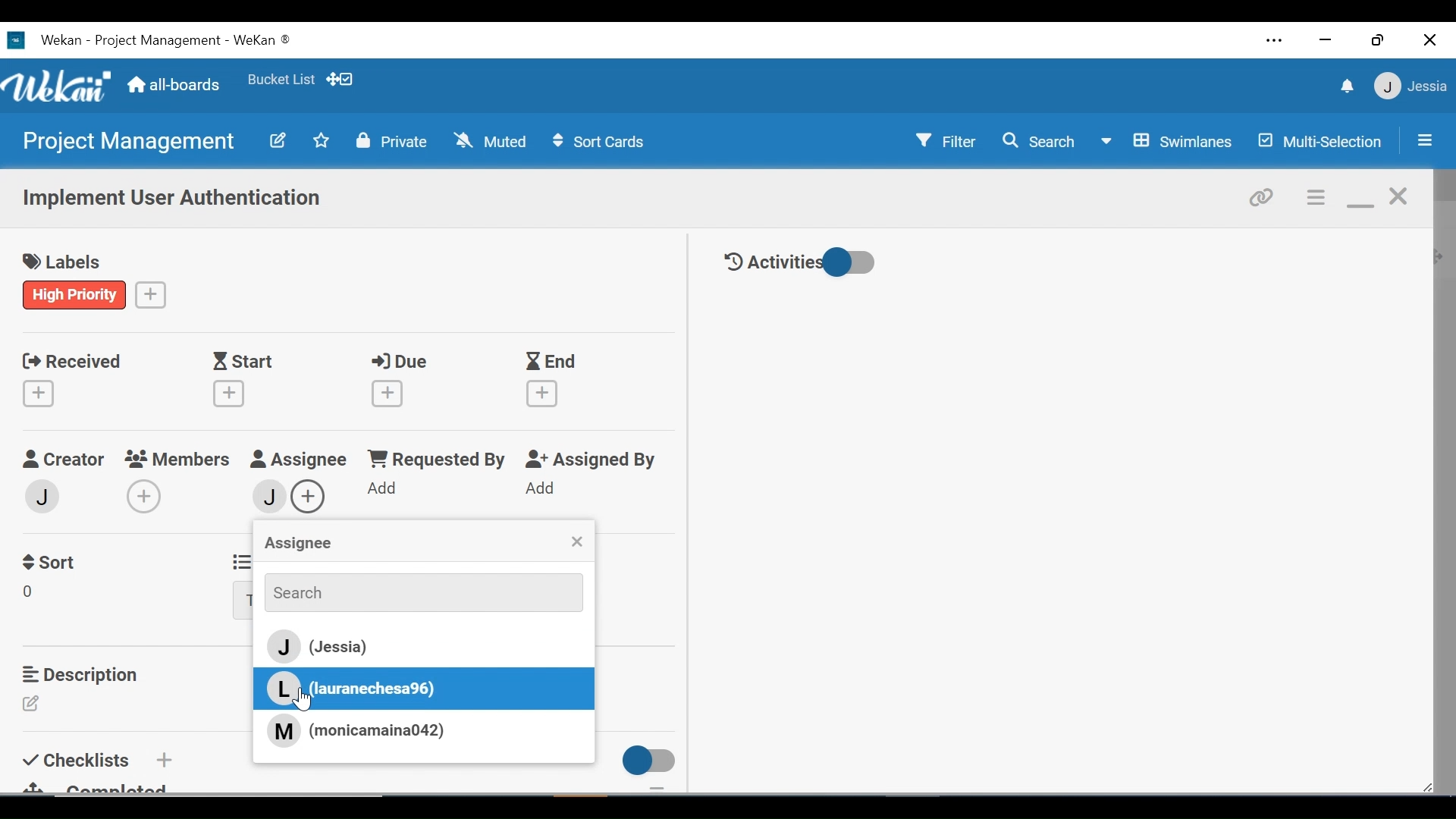  What do you see at coordinates (75, 294) in the screenshot?
I see `high priority` at bounding box center [75, 294].